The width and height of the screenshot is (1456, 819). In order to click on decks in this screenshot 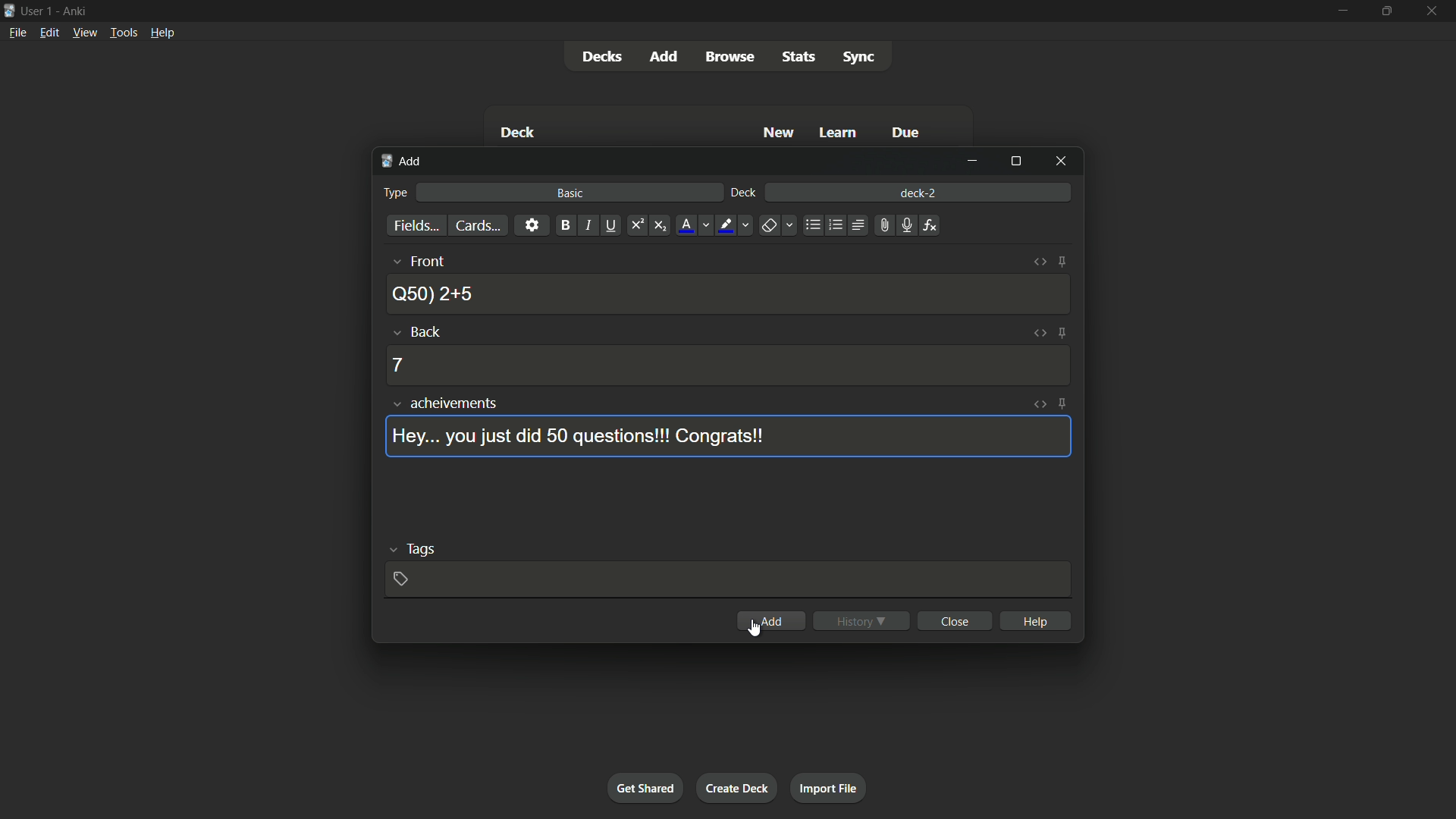, I will do `click(600, 56)`.